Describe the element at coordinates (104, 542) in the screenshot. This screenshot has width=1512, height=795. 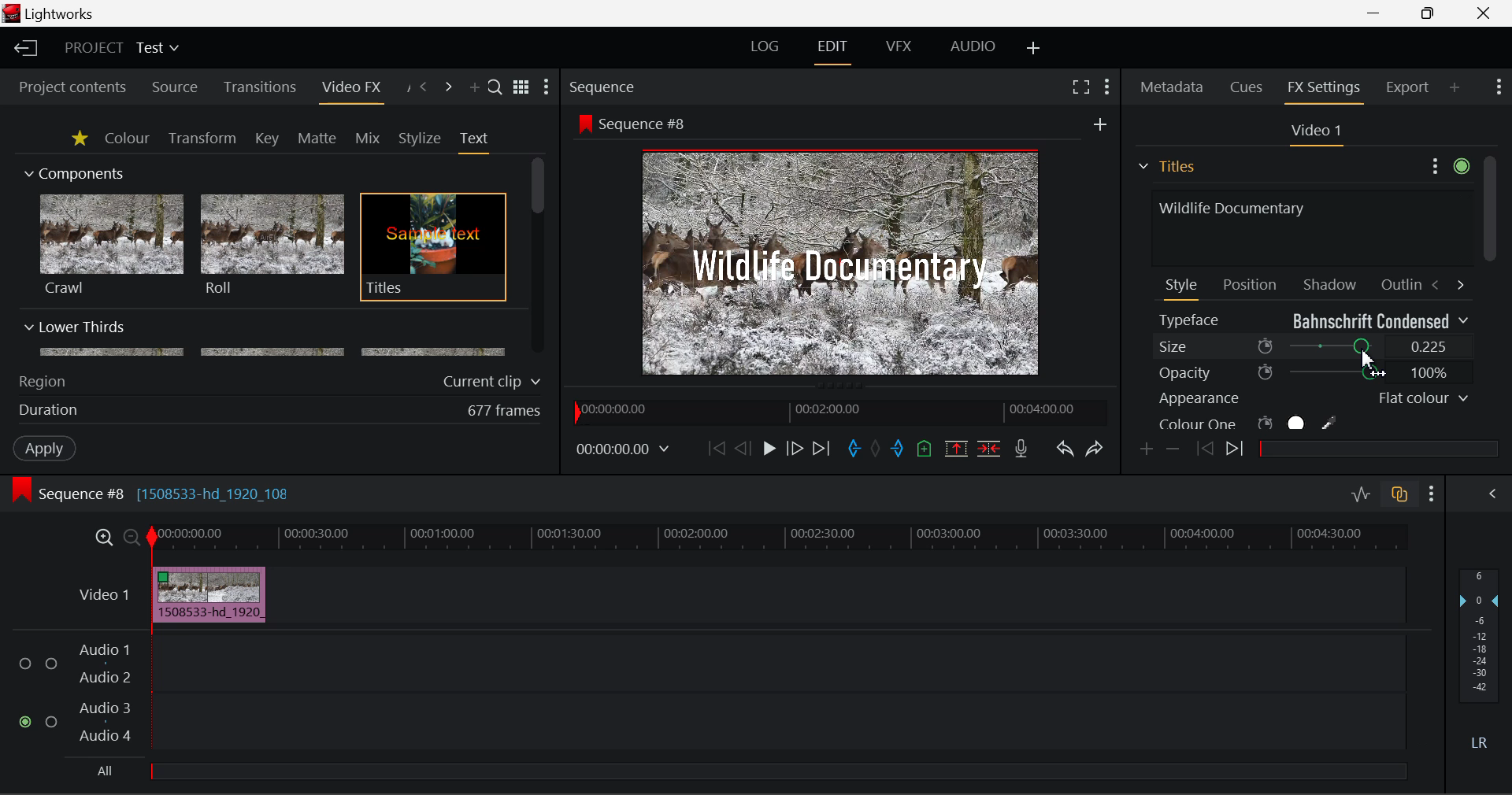
I see `Zoom In Timeline` at that location.